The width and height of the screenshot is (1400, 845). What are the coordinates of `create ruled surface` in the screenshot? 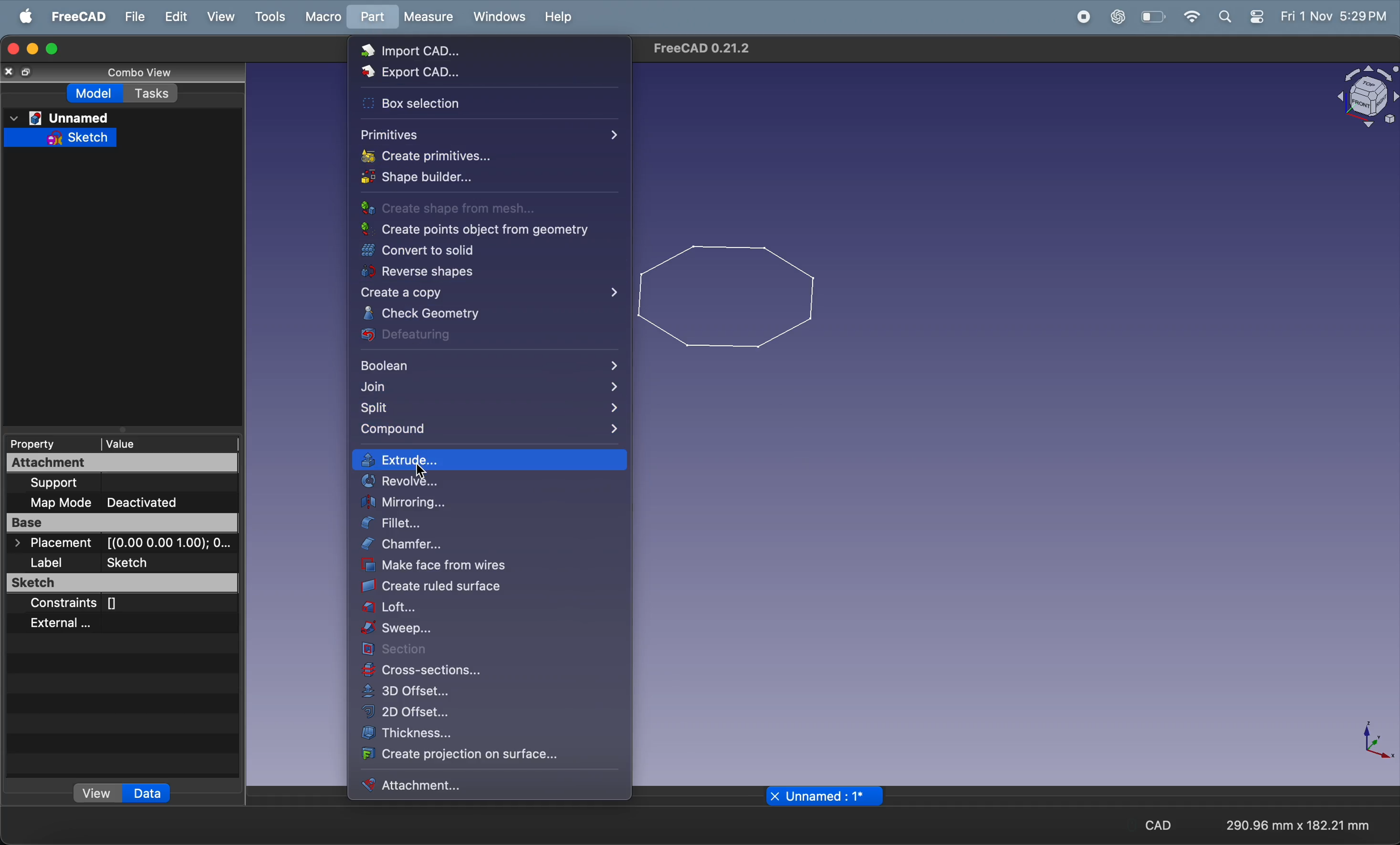 It's located at (479, 587).